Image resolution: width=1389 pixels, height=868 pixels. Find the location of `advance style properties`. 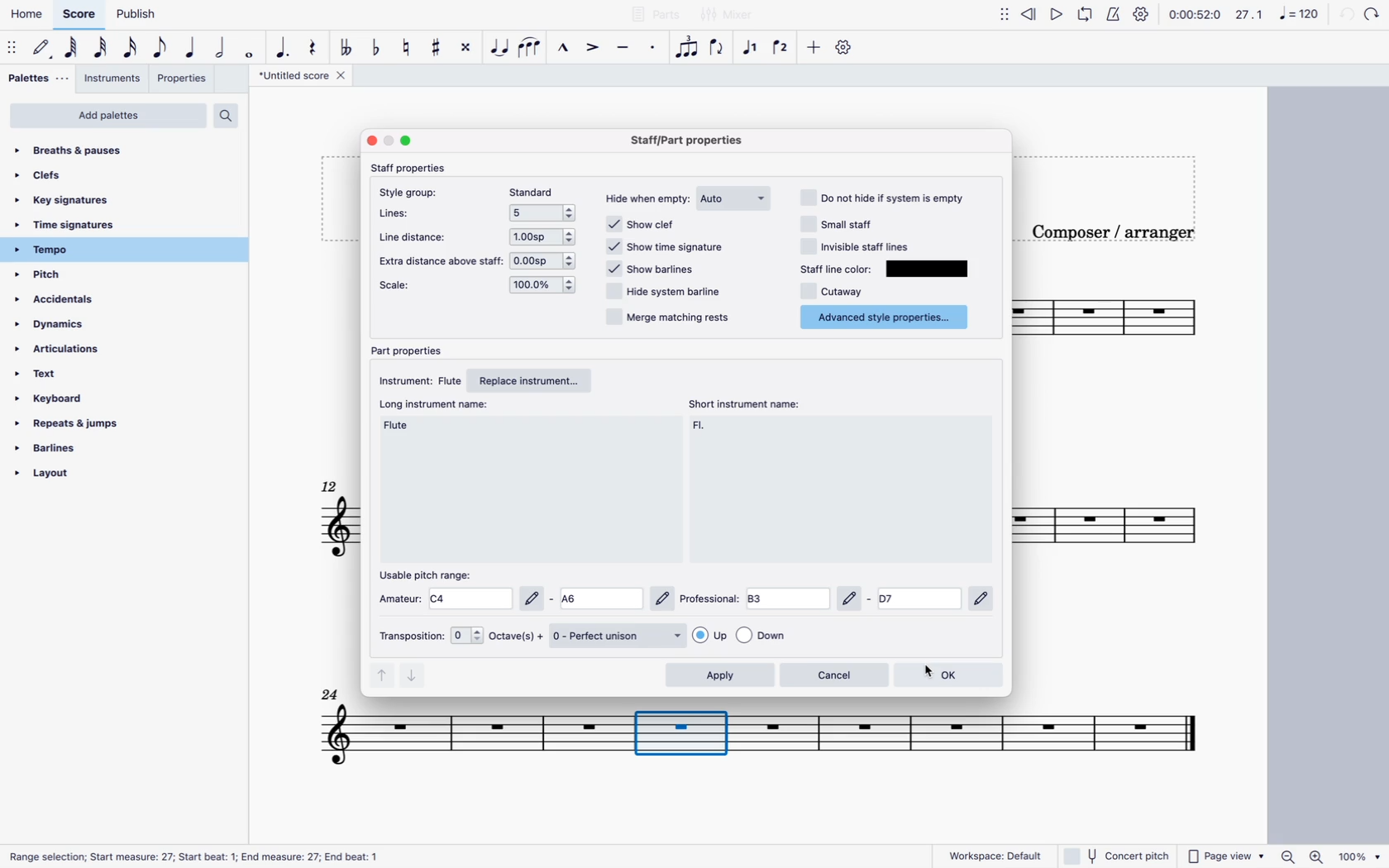

advance style properties is located at coordinates (889, 316).